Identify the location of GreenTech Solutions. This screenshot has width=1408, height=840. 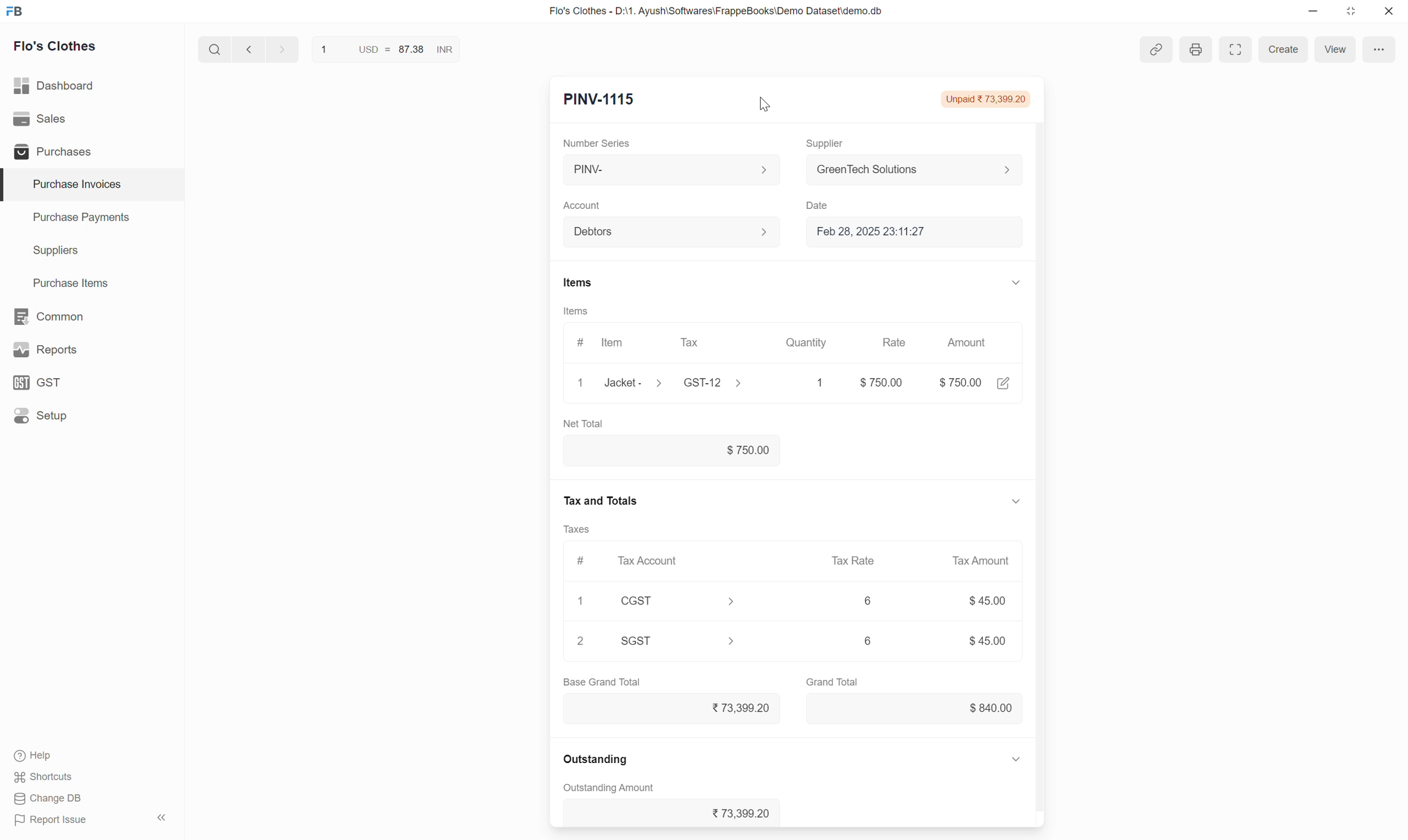
(905, 169).